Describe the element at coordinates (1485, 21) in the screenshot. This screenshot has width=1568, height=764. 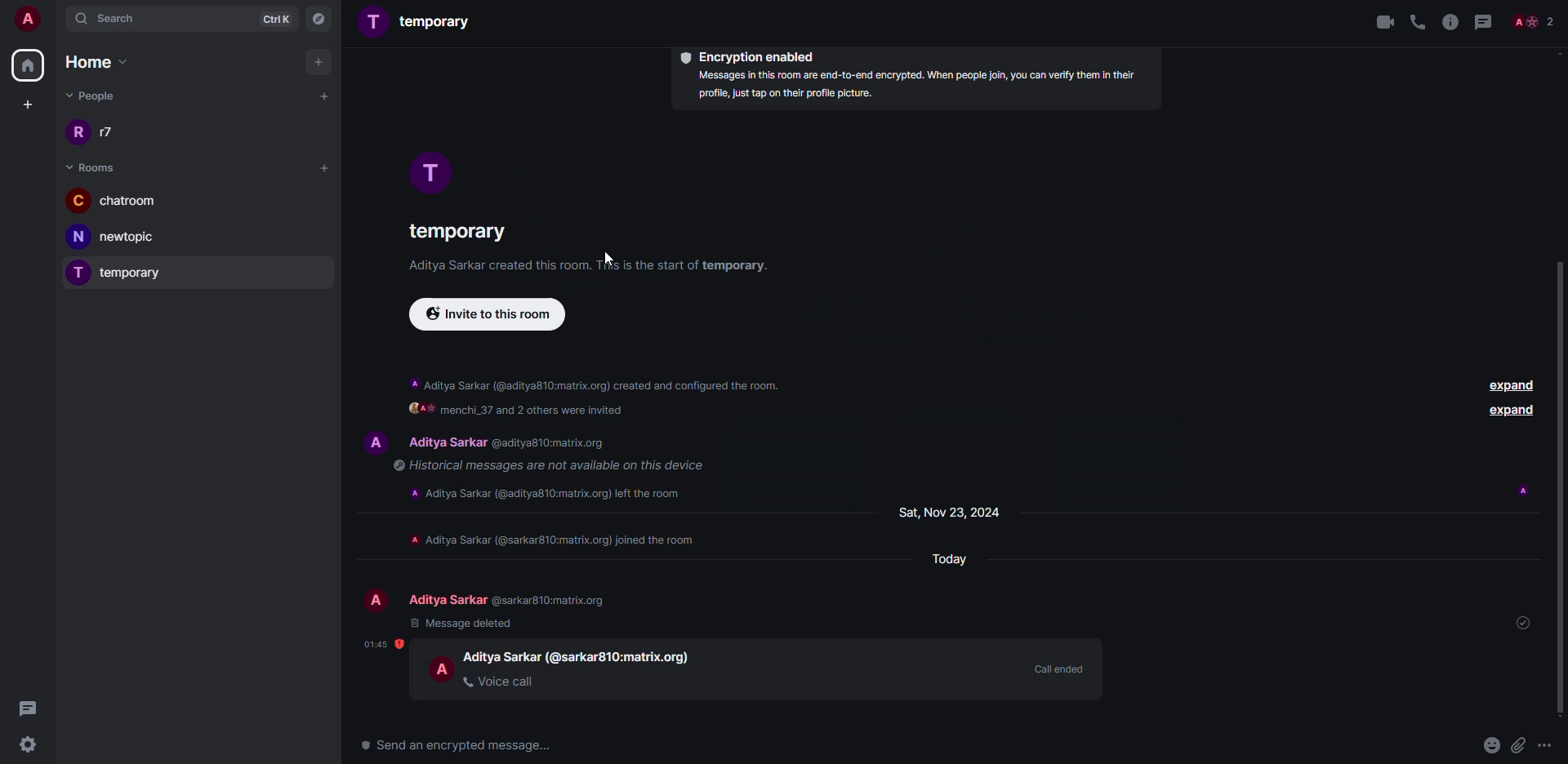
I see `threads` at that location.